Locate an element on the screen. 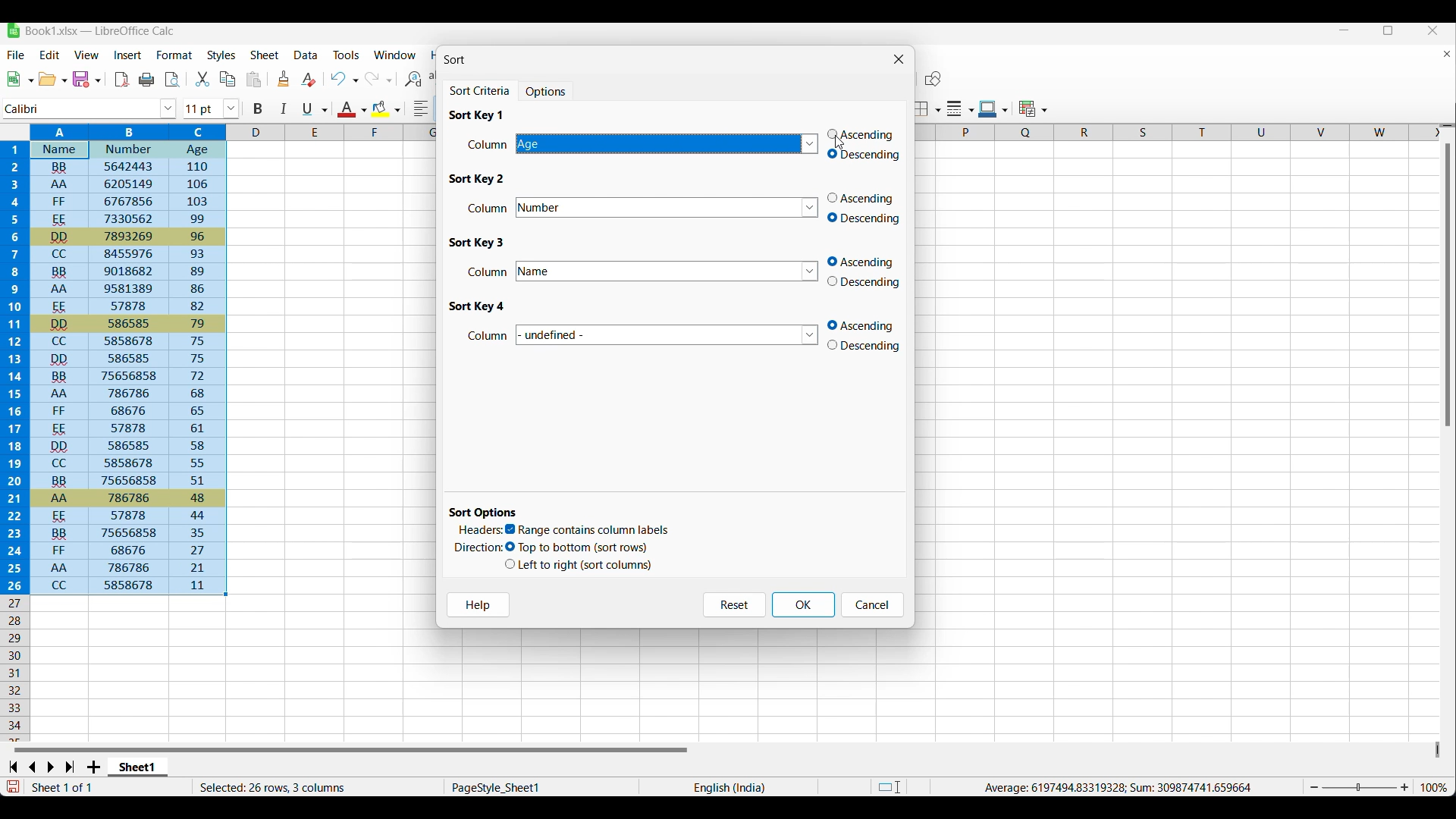 The height and width of the screenshot is (819, 1456). Horizontal slide bar is located at coordinates (351, 749).